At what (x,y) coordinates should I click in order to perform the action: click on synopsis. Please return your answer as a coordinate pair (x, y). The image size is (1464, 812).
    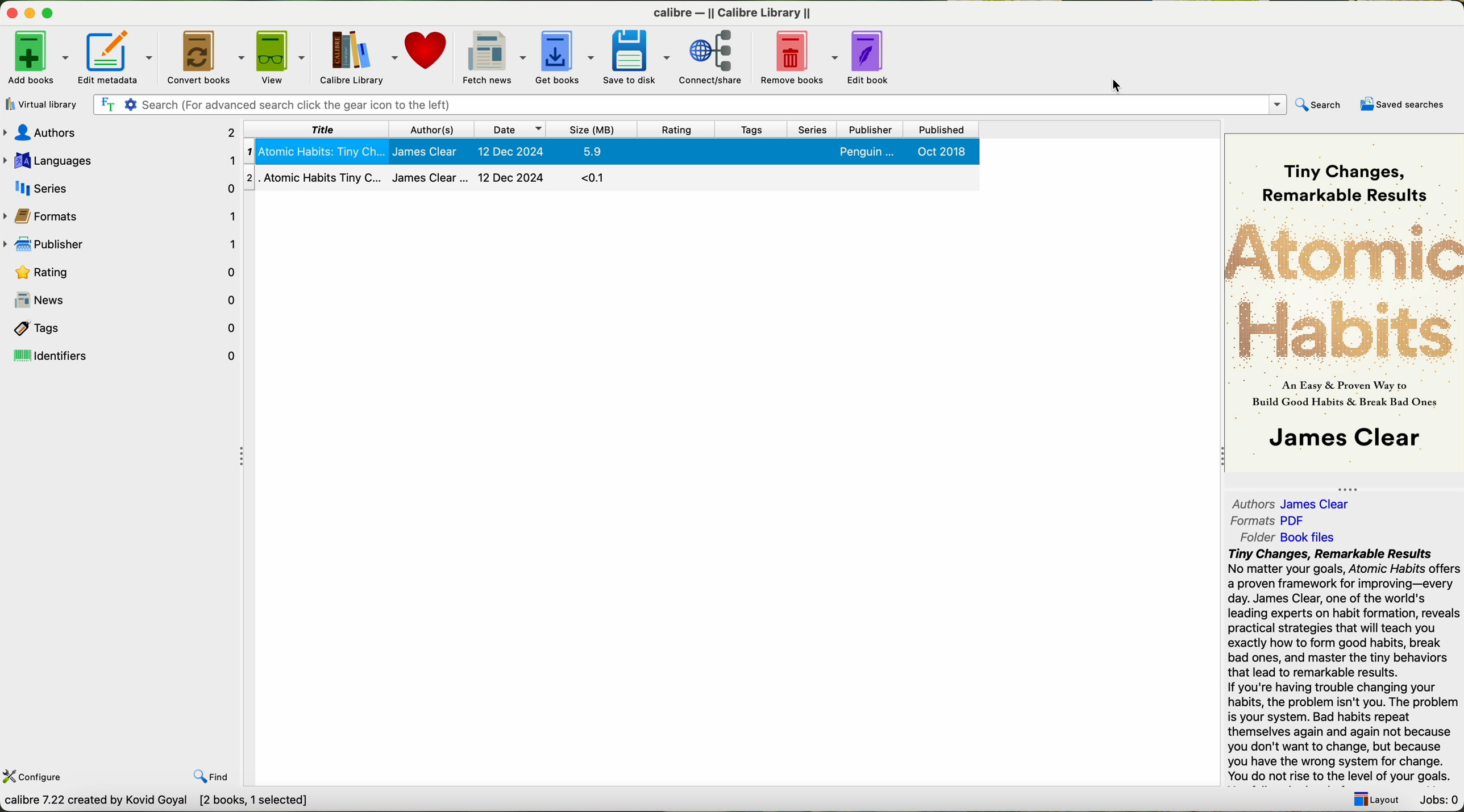
    Looking at the image, I should click on (1345, 669).